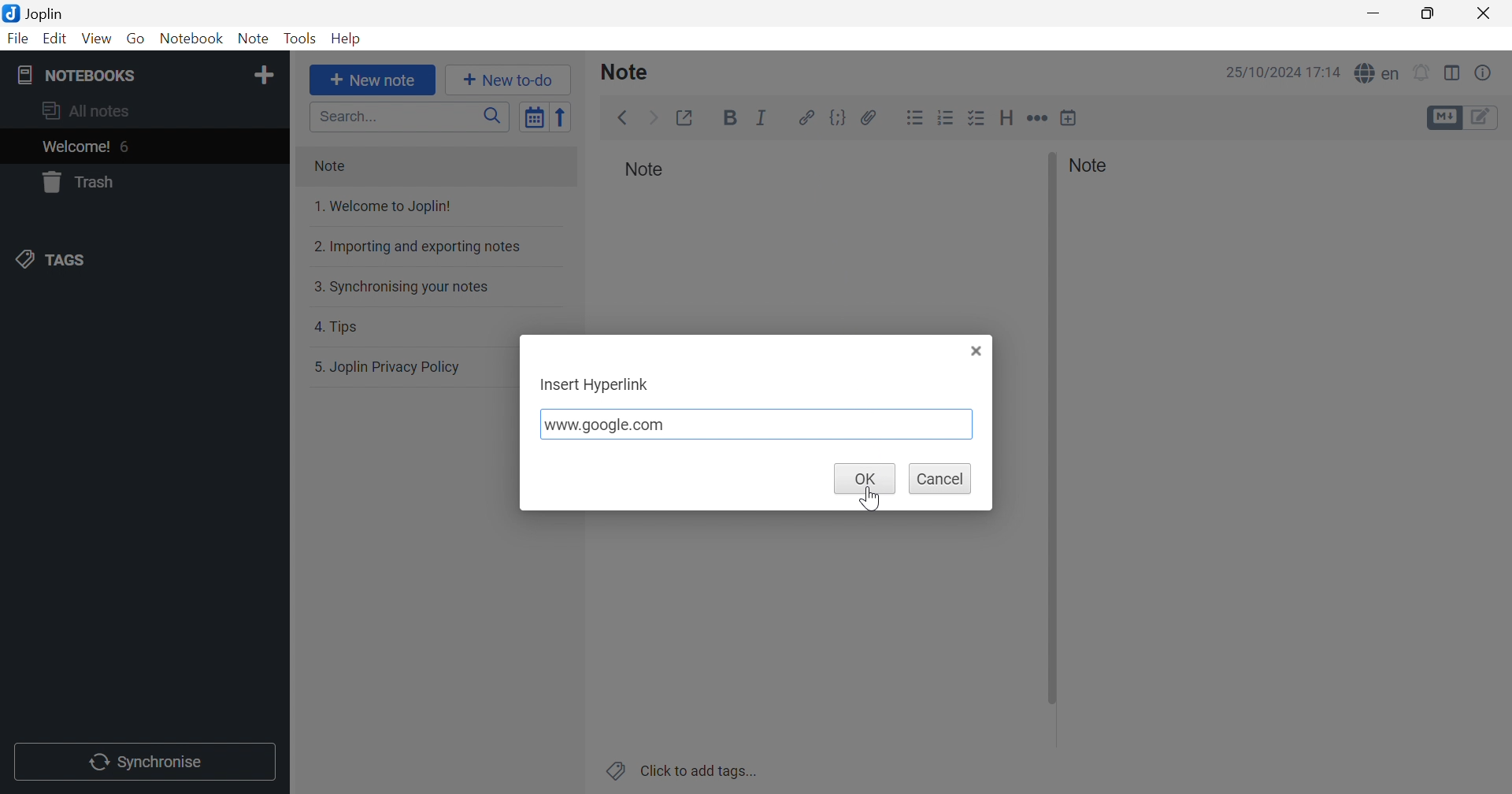 The image size is (1512, 794). I want to click on Notebooks, so click(124, 75).